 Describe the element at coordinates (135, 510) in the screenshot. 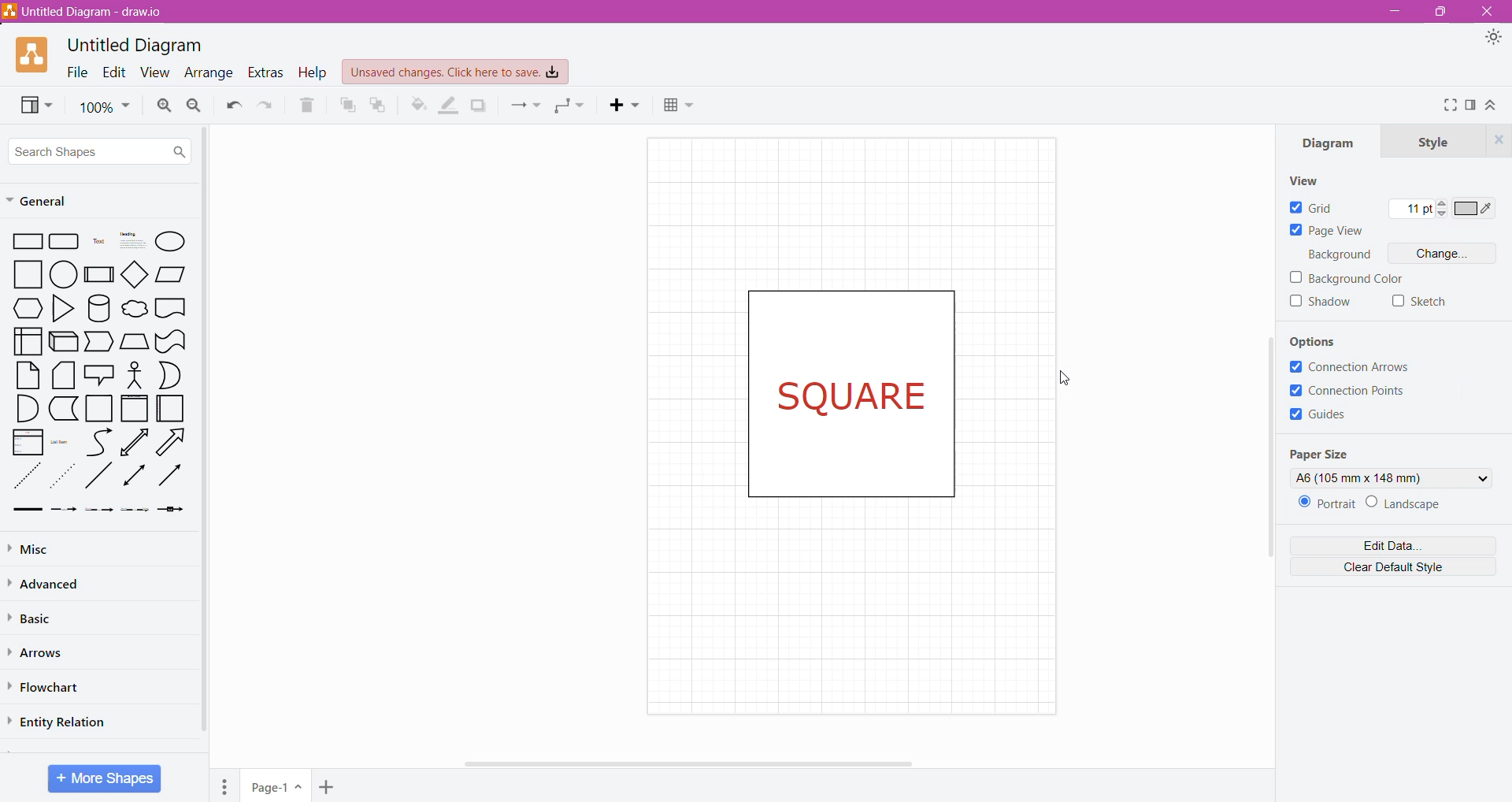

I see `Dotted Arrow ` at that location.